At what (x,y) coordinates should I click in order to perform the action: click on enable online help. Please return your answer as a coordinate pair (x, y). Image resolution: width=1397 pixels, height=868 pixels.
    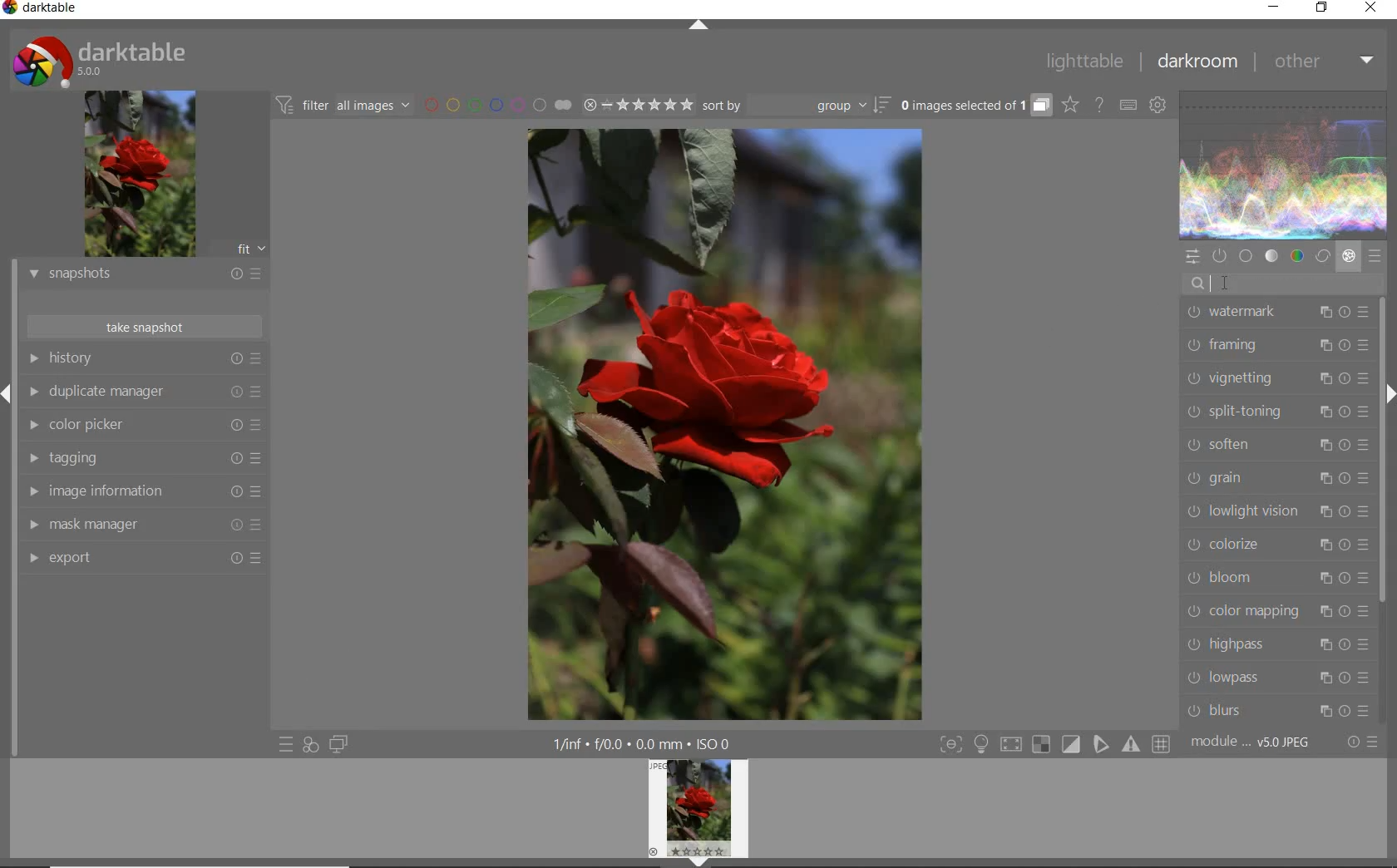
    Looking at the image, I should click on (1100, 105).